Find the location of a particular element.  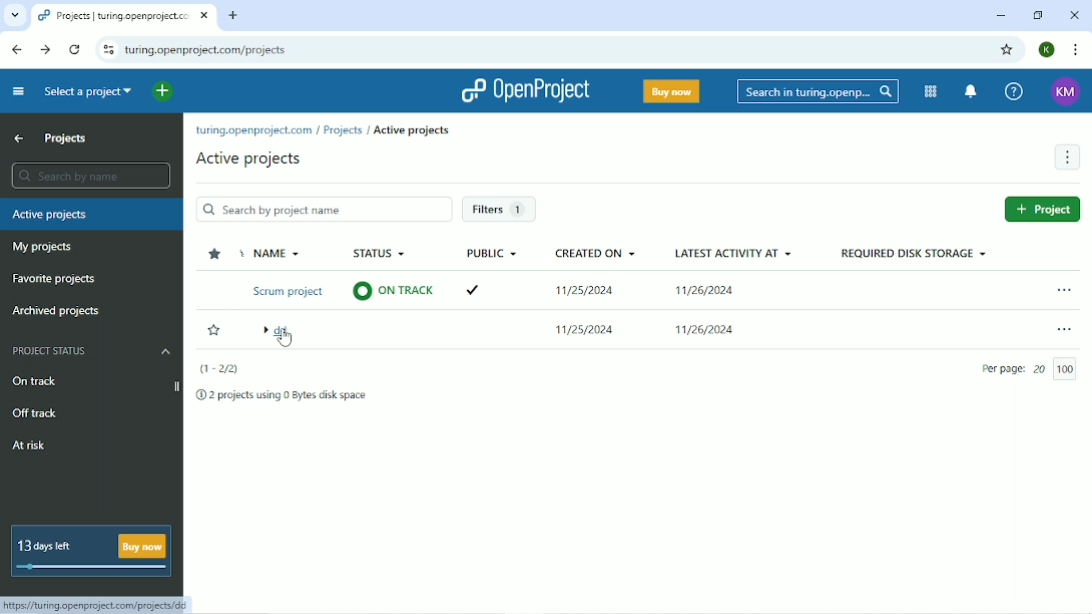

Required disk storage is located at coordinates (913, 252).